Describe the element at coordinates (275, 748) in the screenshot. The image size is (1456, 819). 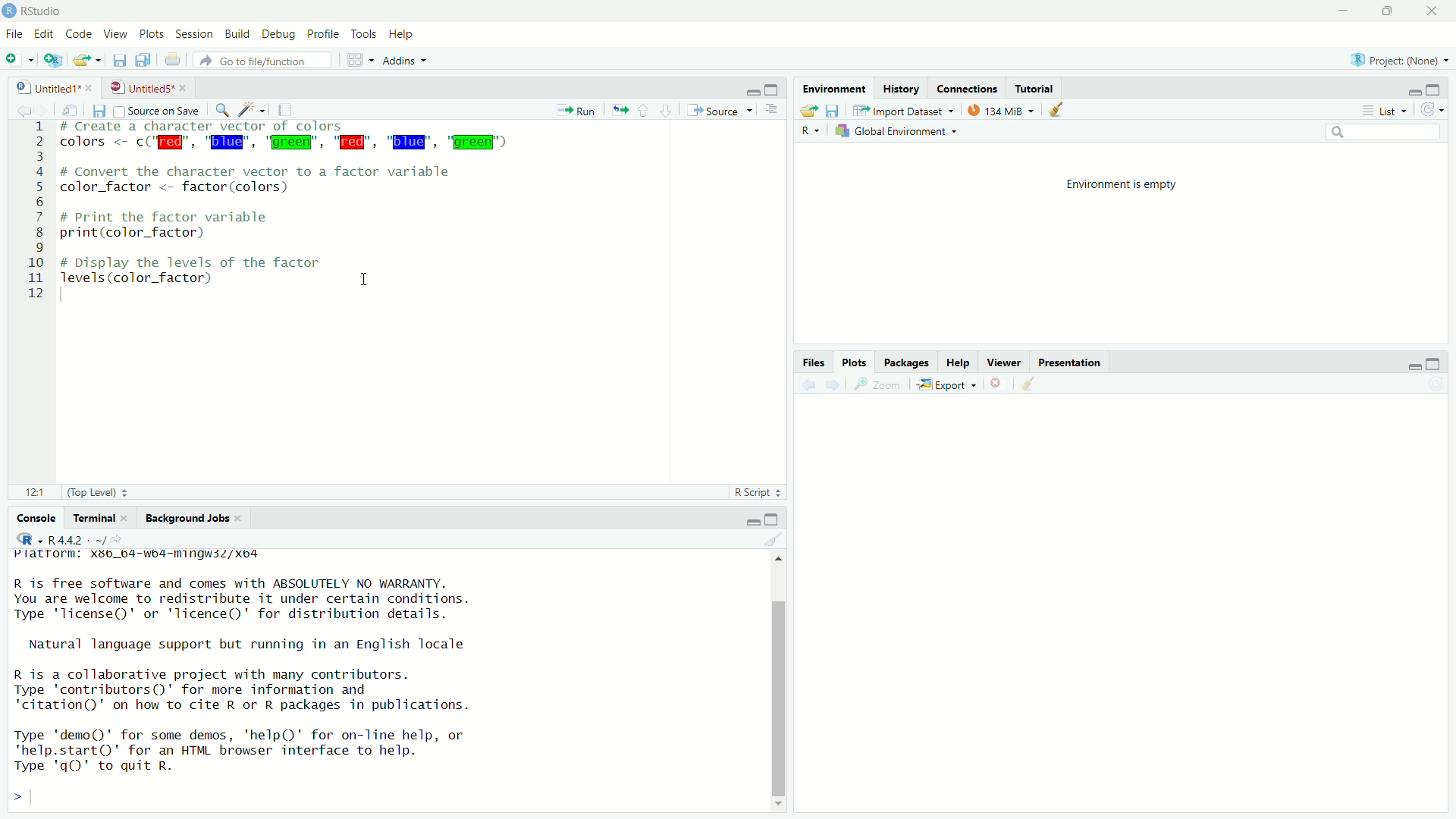
I see `Type 'demo()' for some demos, 'help()' for on-Tine help, or
*help.start()' for an HTML browser interface to help.
Type 'qQ' to quit R.` at that location.